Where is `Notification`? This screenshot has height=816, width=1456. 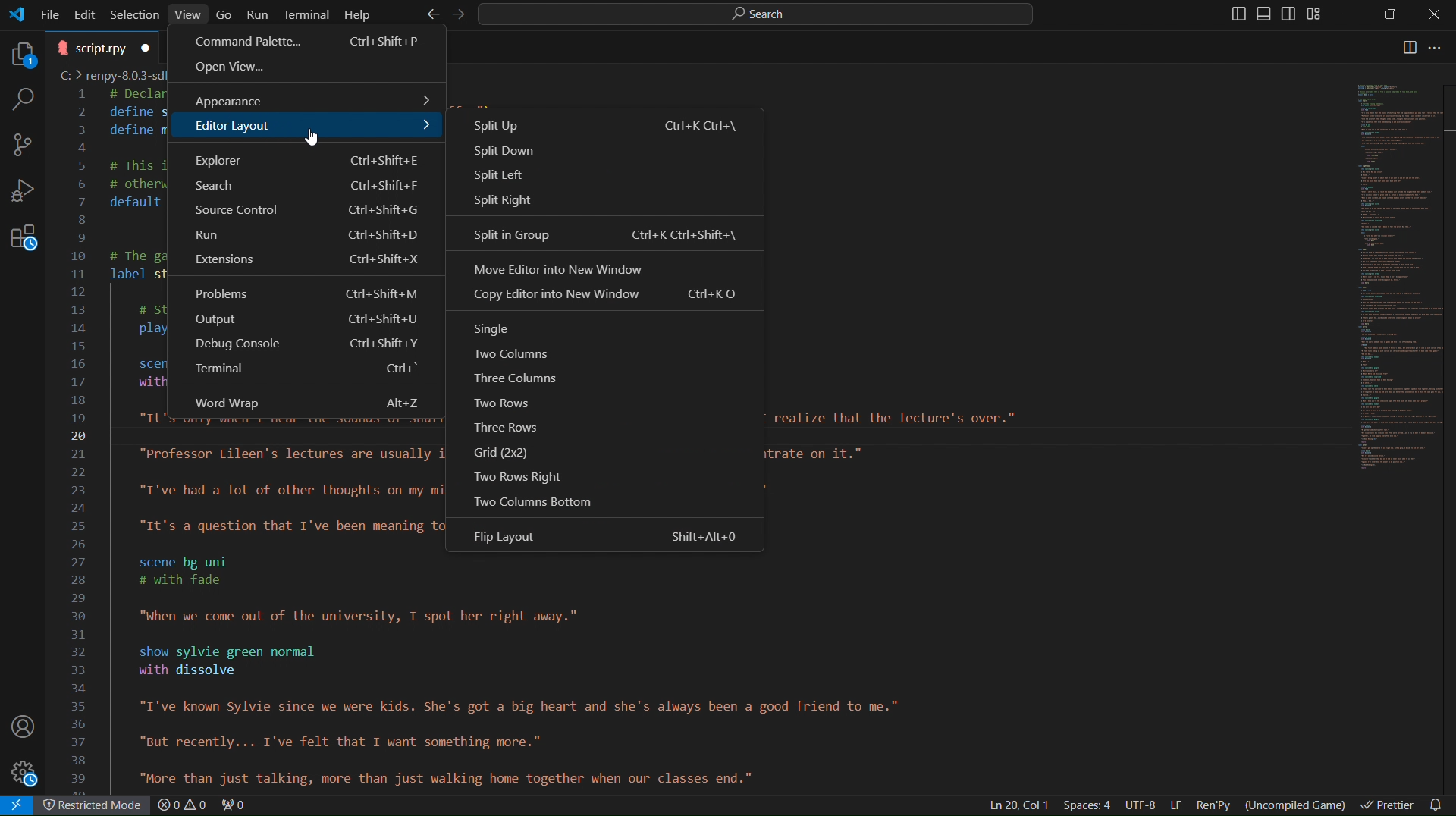
Notification is located at coordinates (1439, 804).